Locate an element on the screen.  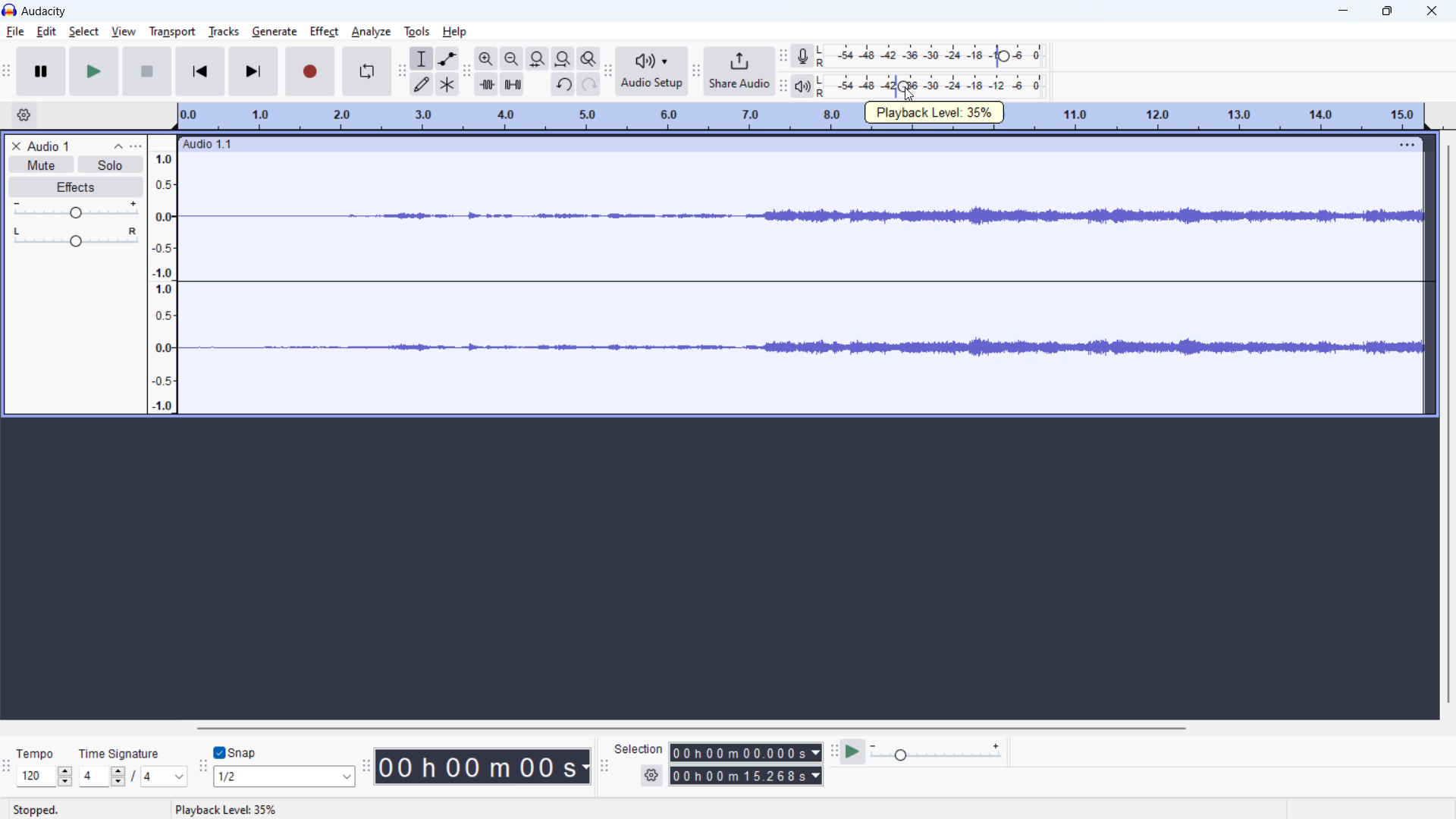
start time is located at coordinates (744, 752).